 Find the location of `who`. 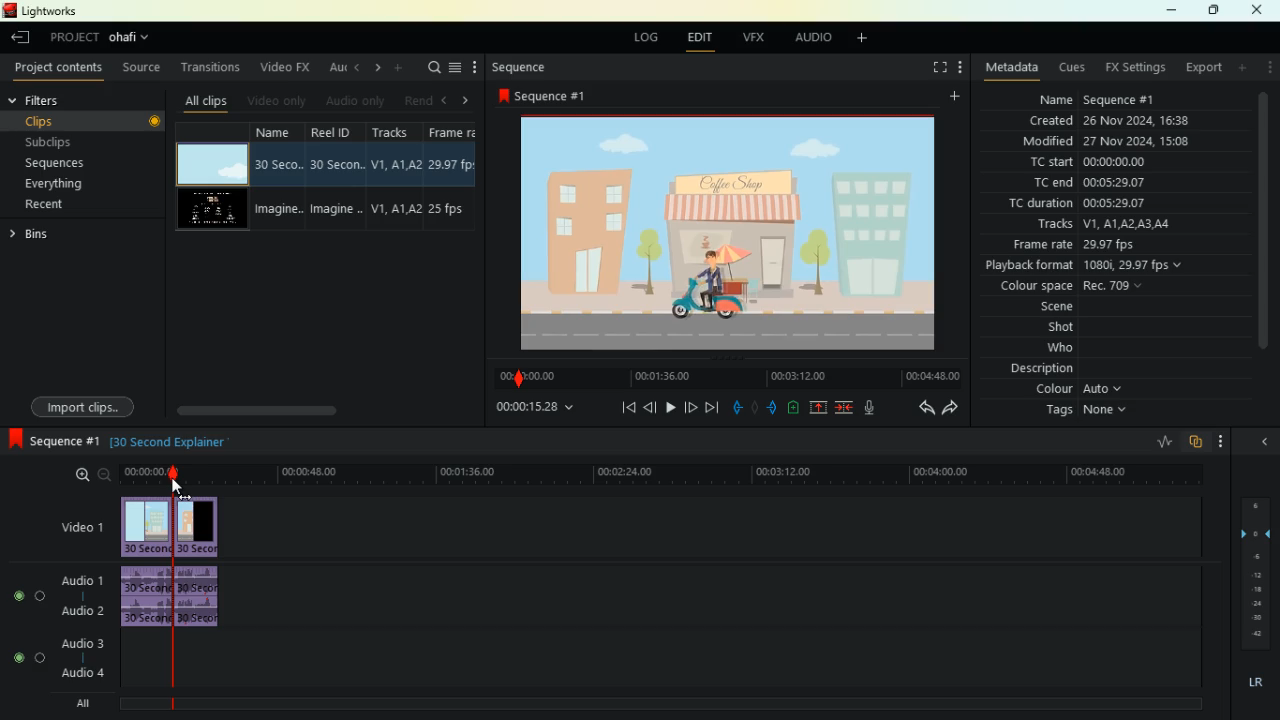

who is located at coordinates (1047, 349).